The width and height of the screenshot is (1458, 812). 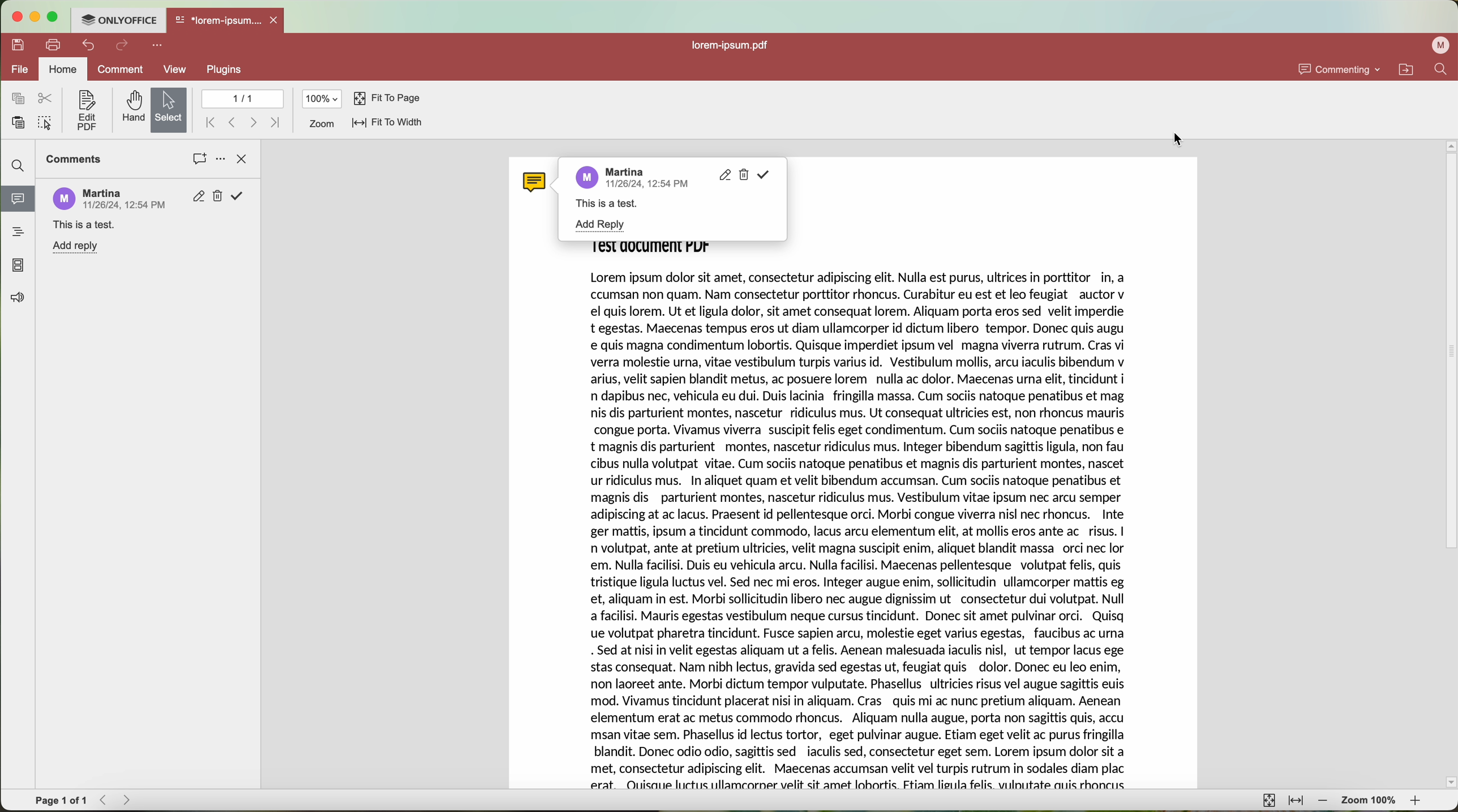 What do you see at coordinates (221, 197) in the screenshot?
I see `remove` at bounding box center [221, 197].